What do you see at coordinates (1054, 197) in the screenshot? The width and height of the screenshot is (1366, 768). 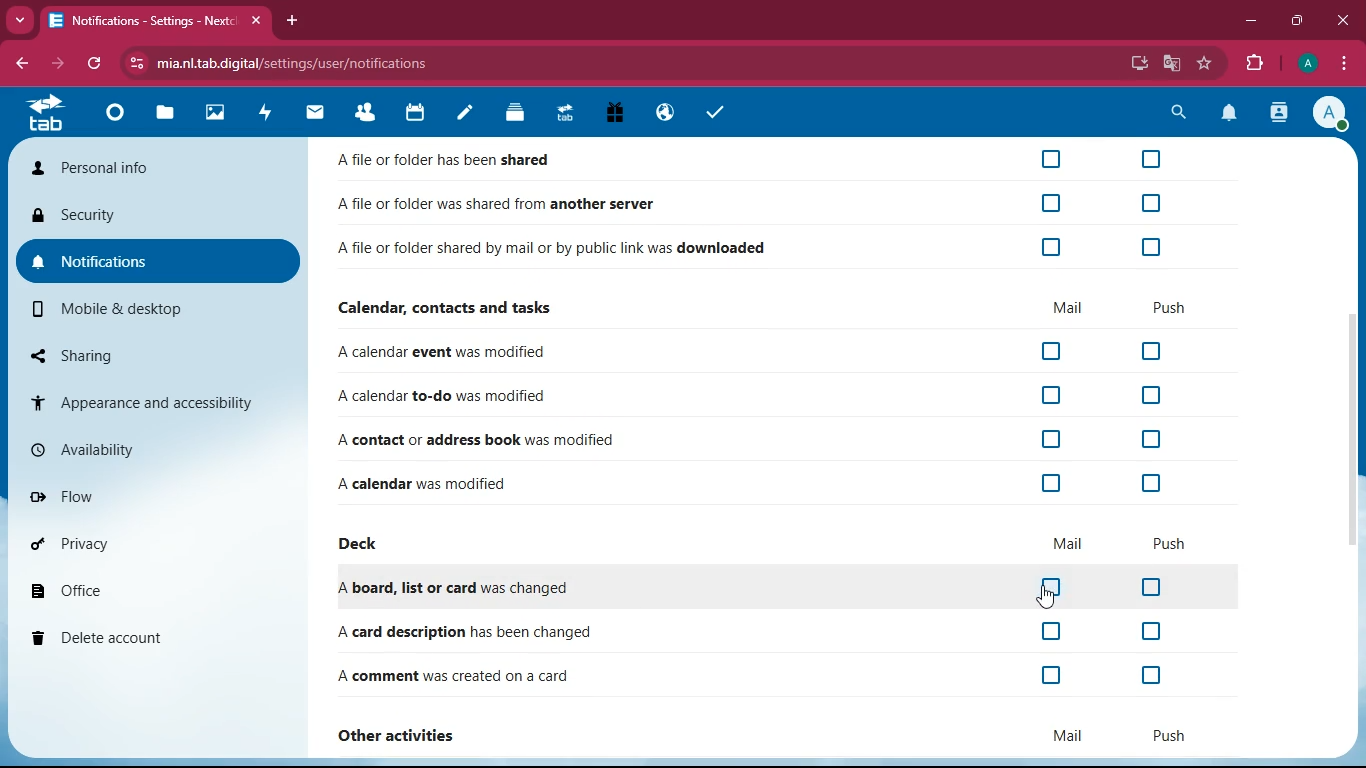 I see `off` at bounding box center [1054, 197].